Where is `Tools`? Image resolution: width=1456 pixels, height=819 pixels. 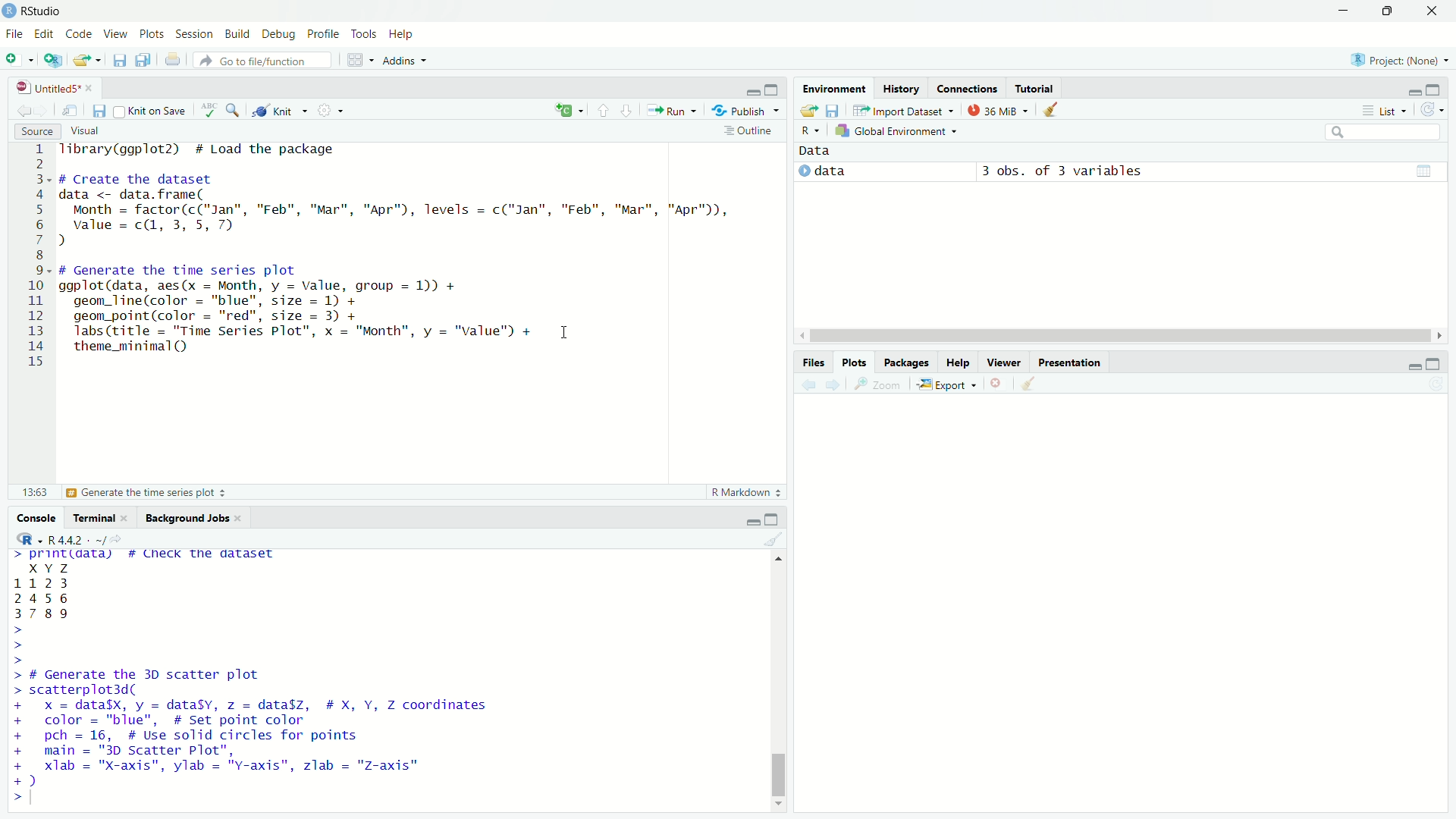
Tools is located at coordinates (365, 33).